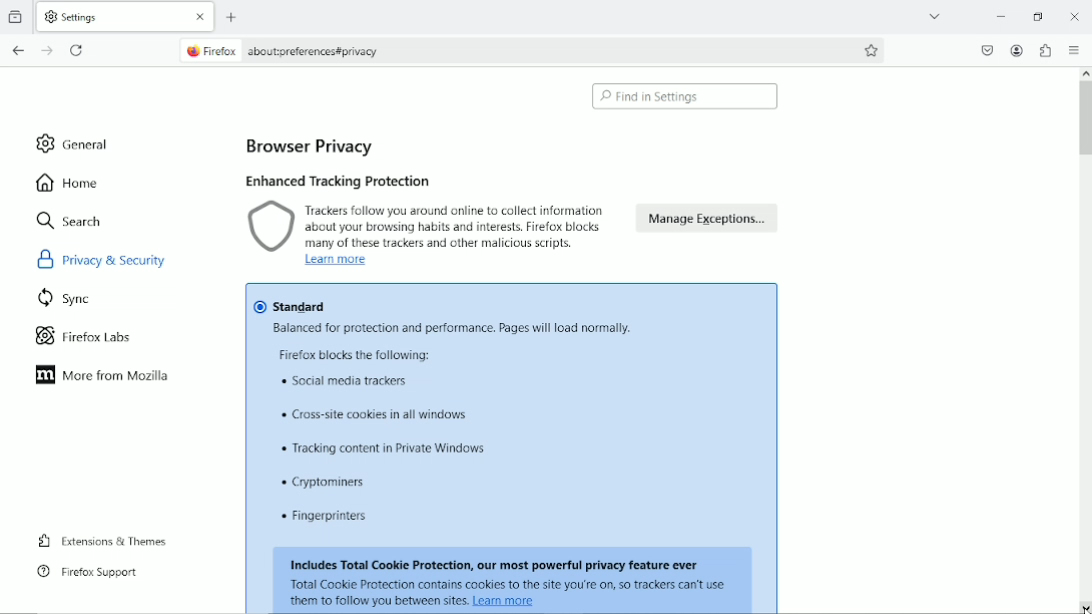  Describe the element at coordinates (66, 300) in the screenshot. I see `sync` at that location.